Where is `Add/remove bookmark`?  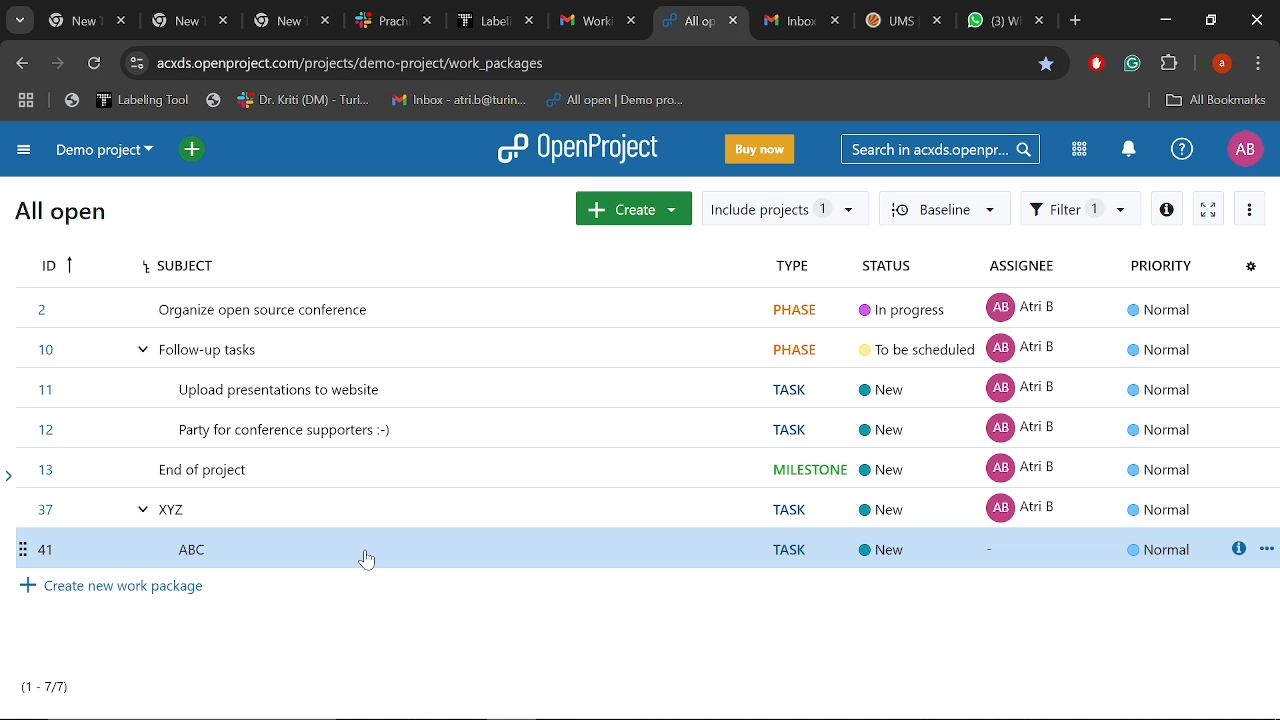 Add/remove bookmark is located at coordinates (1045, 64).